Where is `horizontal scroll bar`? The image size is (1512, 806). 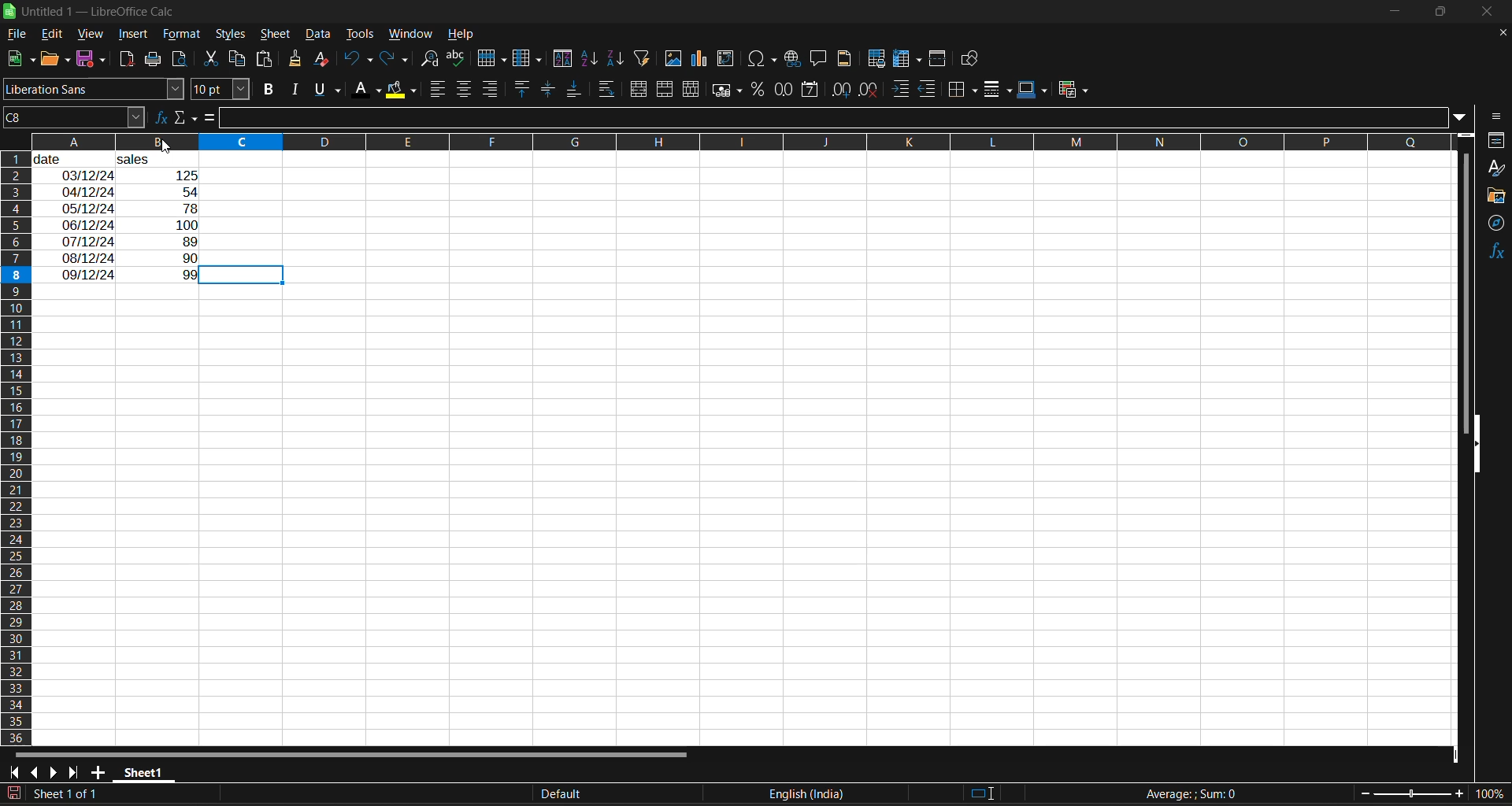 horizontal scroll bar is located at coordinates (357, 753).